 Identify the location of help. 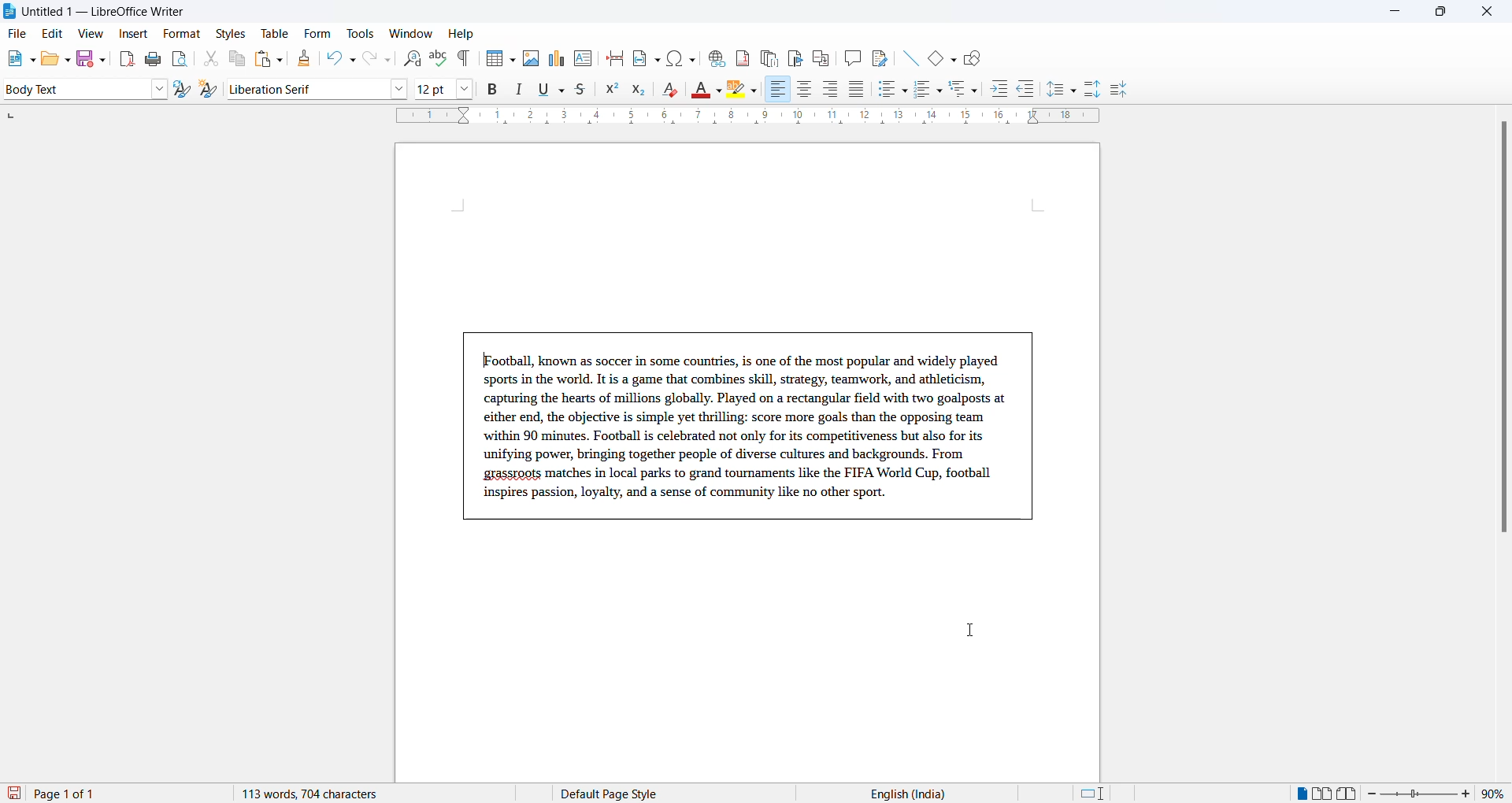
(461, 34).